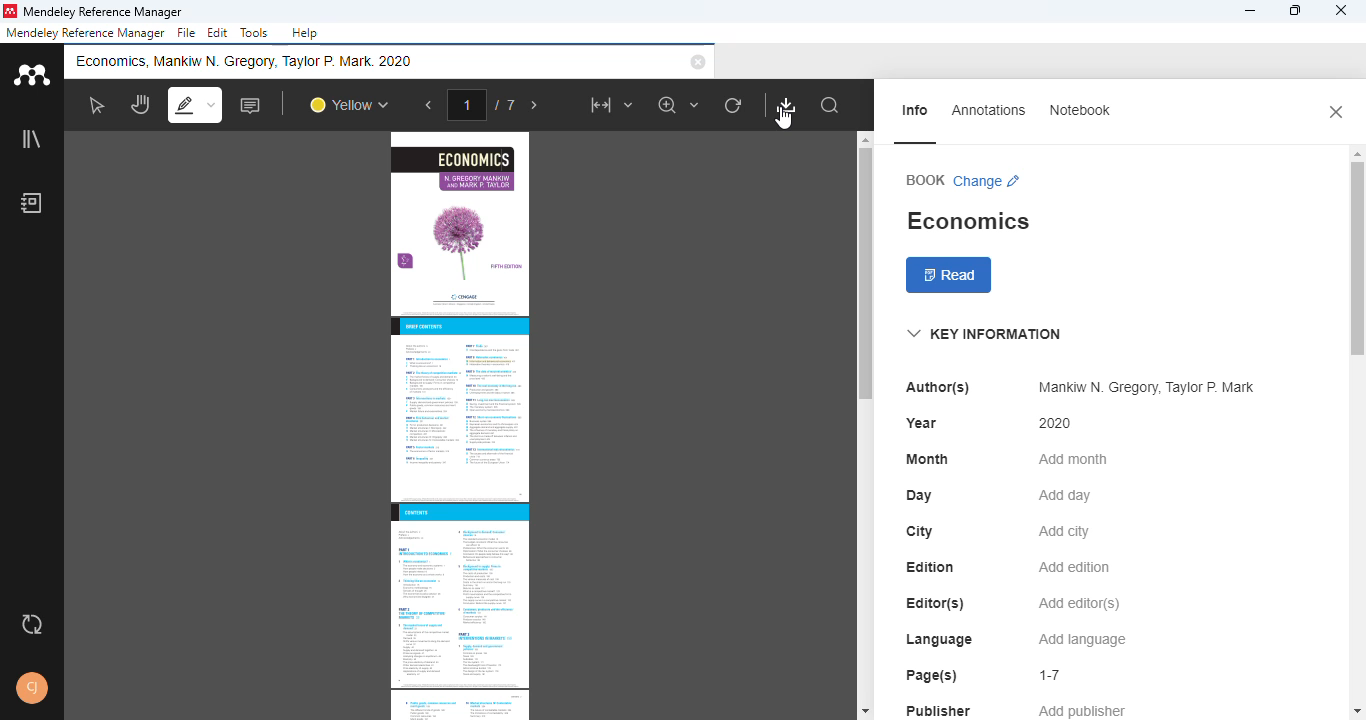 This screenshot has width=1366, height=720. I want to click on city, so click(919, 531).